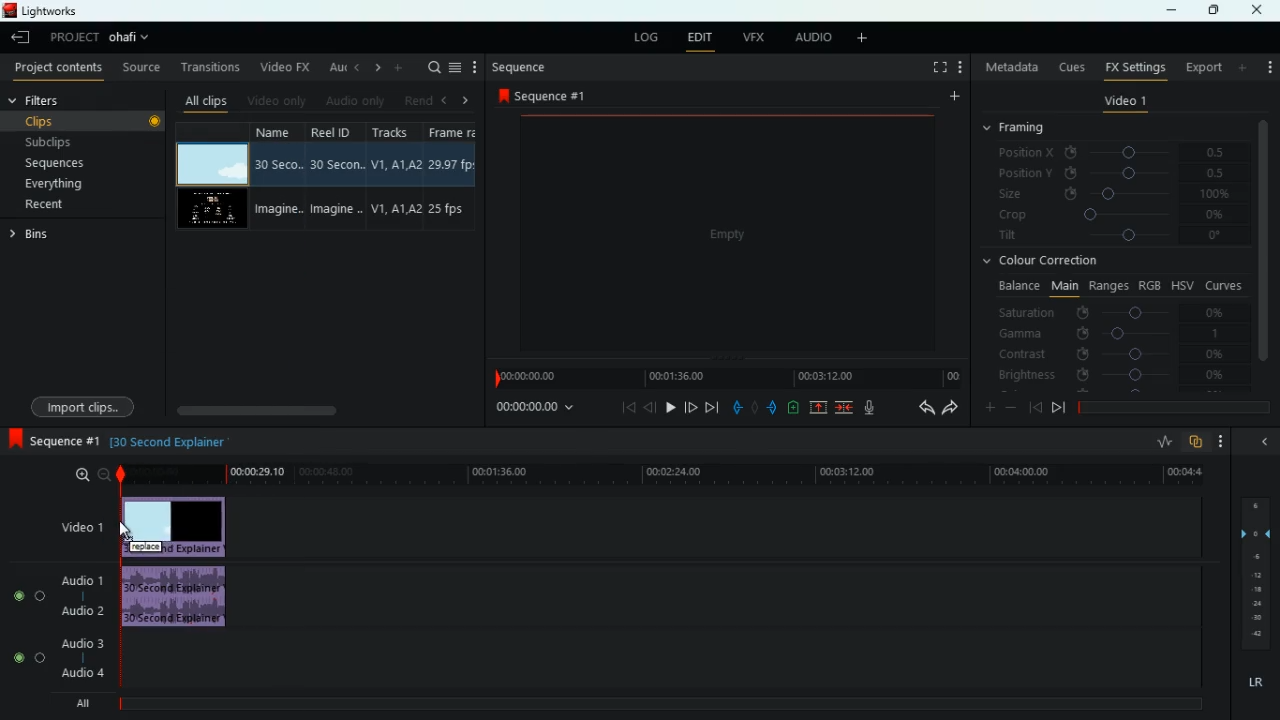 The image size is (1280, 720). Describe the element at coordinates (985, 406) in the screenshot. I see `plus` at that location.